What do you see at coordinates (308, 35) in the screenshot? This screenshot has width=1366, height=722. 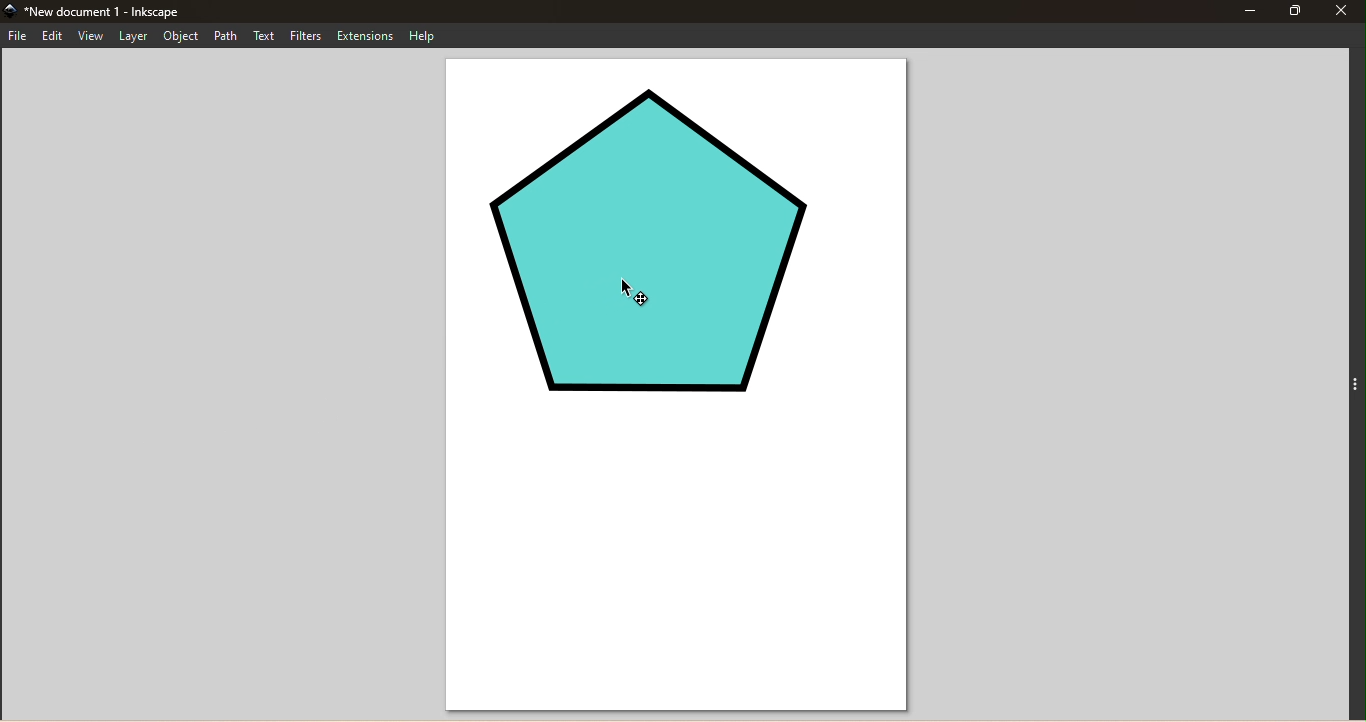 I see `Filters` at bounding box center [308, 35].